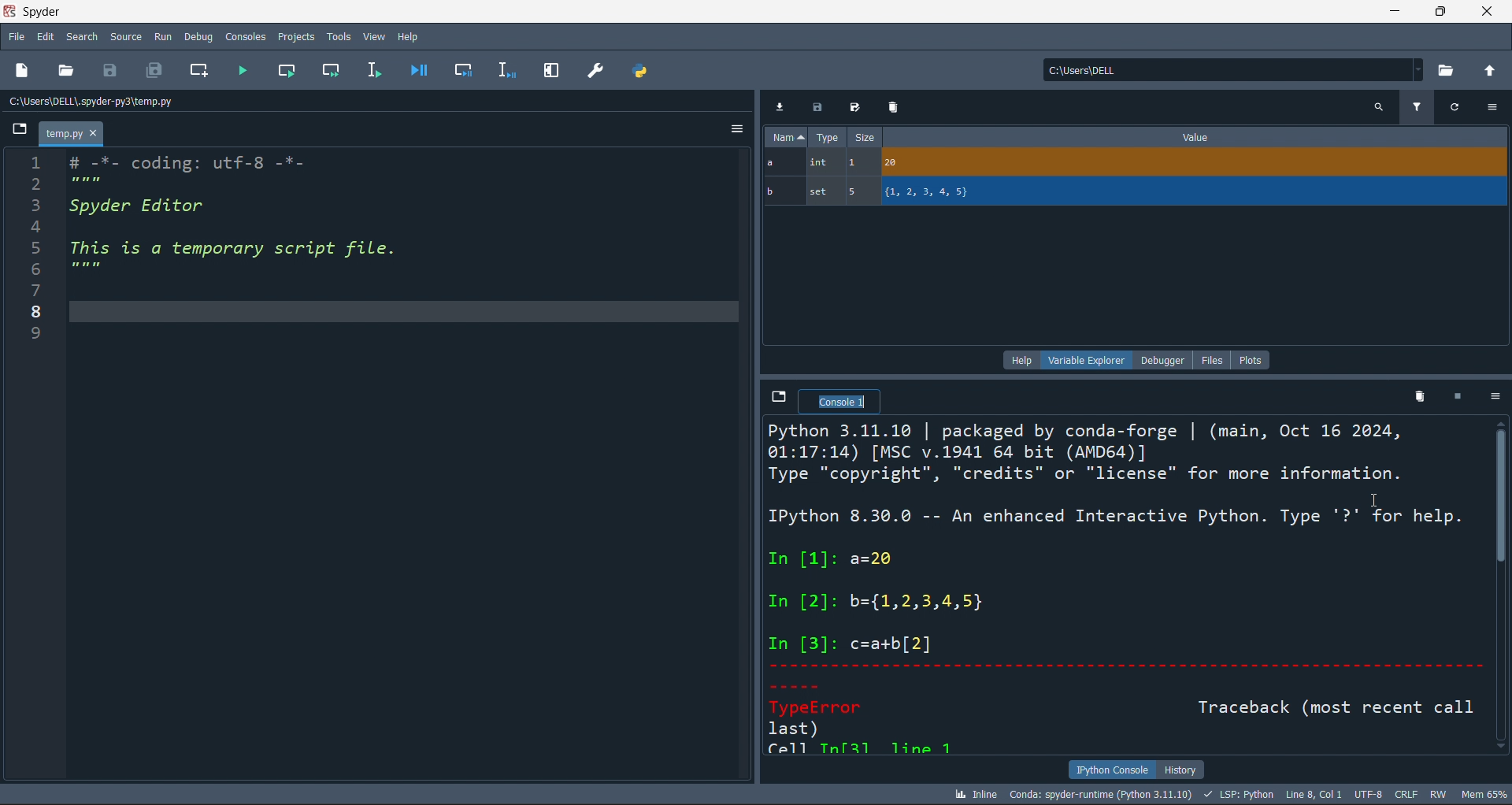  I want to click on debug line, so click(504, 69).